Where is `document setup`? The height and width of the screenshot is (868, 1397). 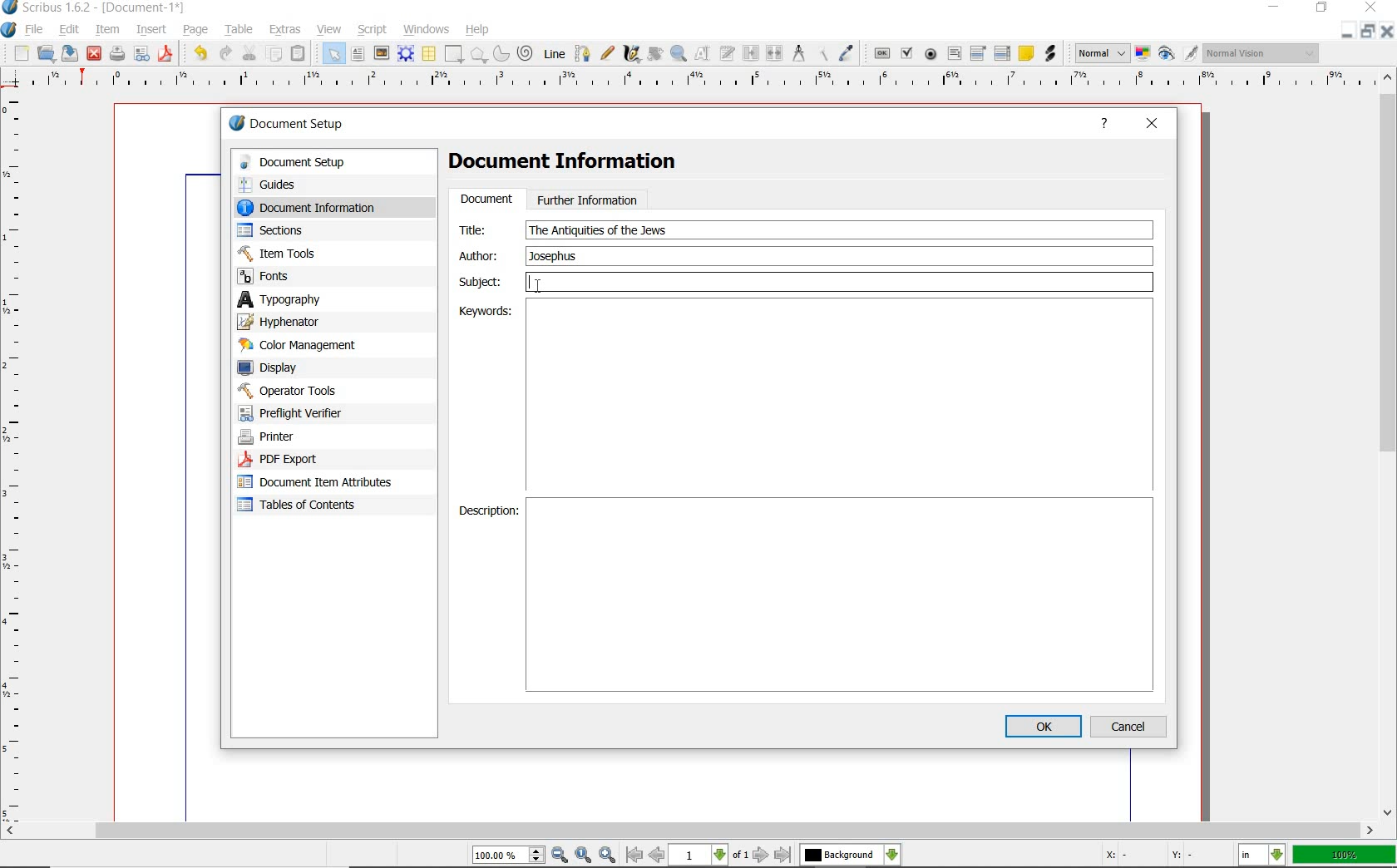 document setup is located at coordinates (320, 162).